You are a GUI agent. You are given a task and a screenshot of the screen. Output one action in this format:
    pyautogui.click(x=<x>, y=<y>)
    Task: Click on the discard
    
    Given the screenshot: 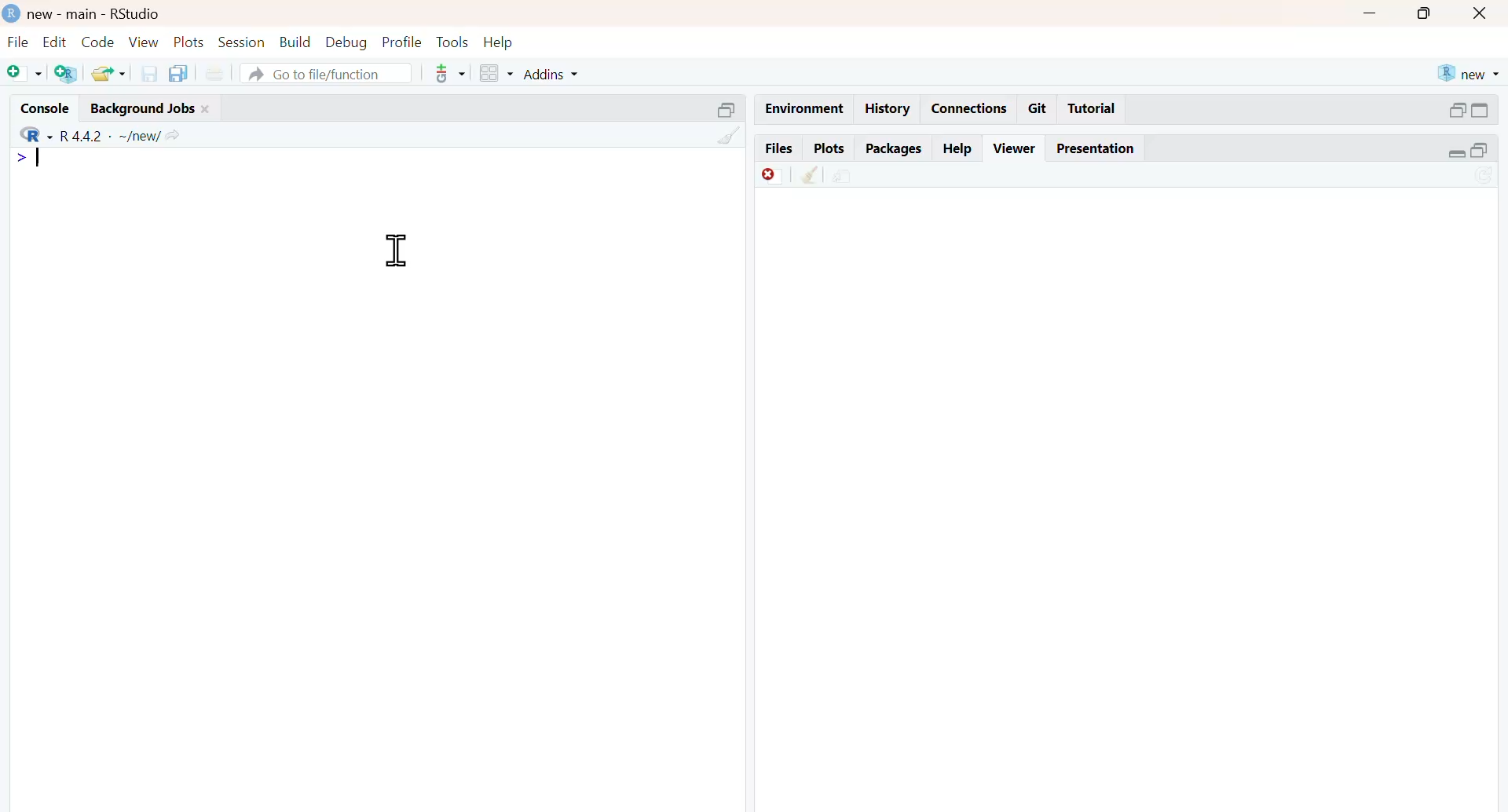 What is the action you would take?
    pyautogui.click(x=774, y=177)
    